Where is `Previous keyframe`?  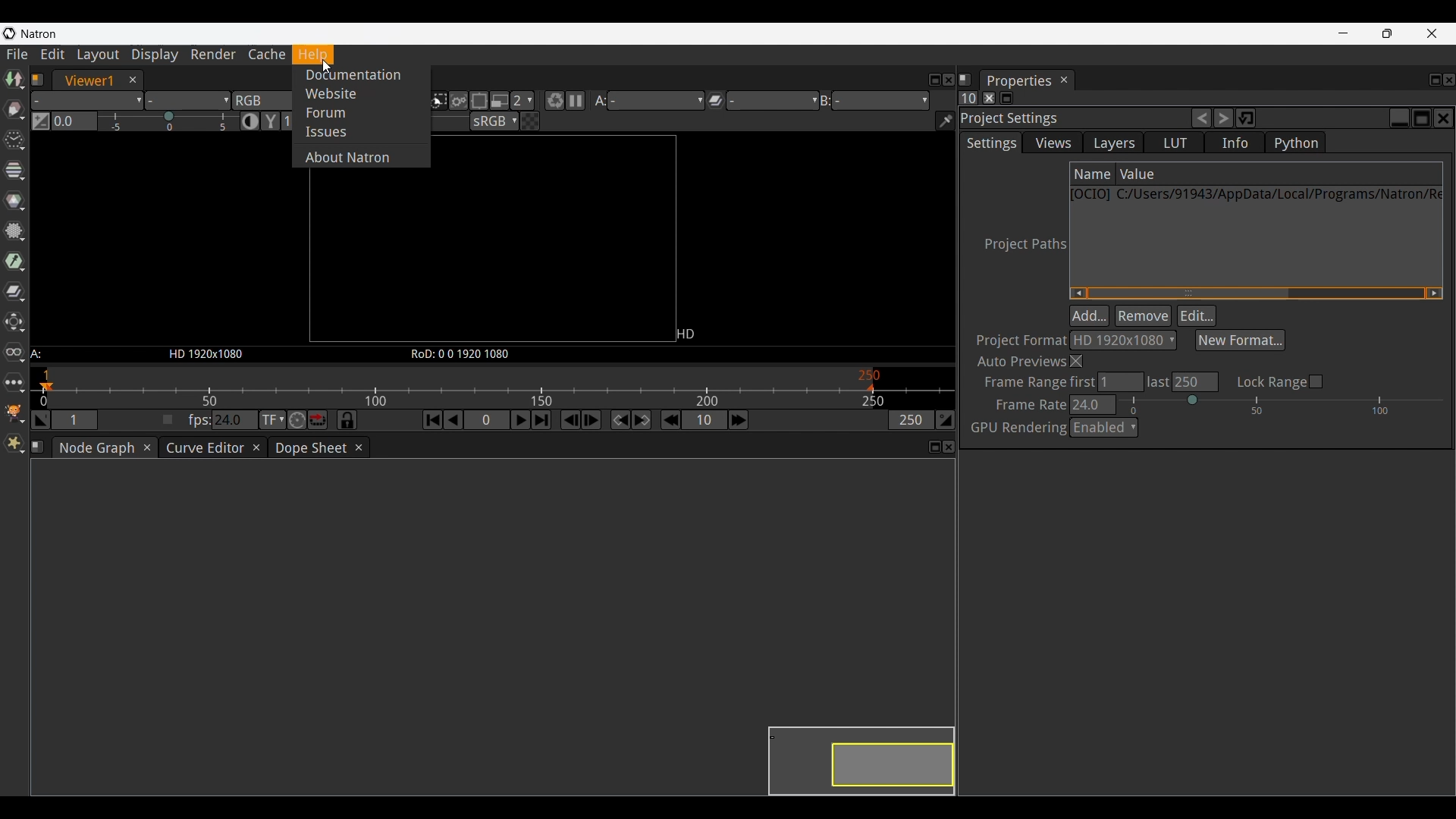
Previous keyframe is located at coordinates (621, 419).